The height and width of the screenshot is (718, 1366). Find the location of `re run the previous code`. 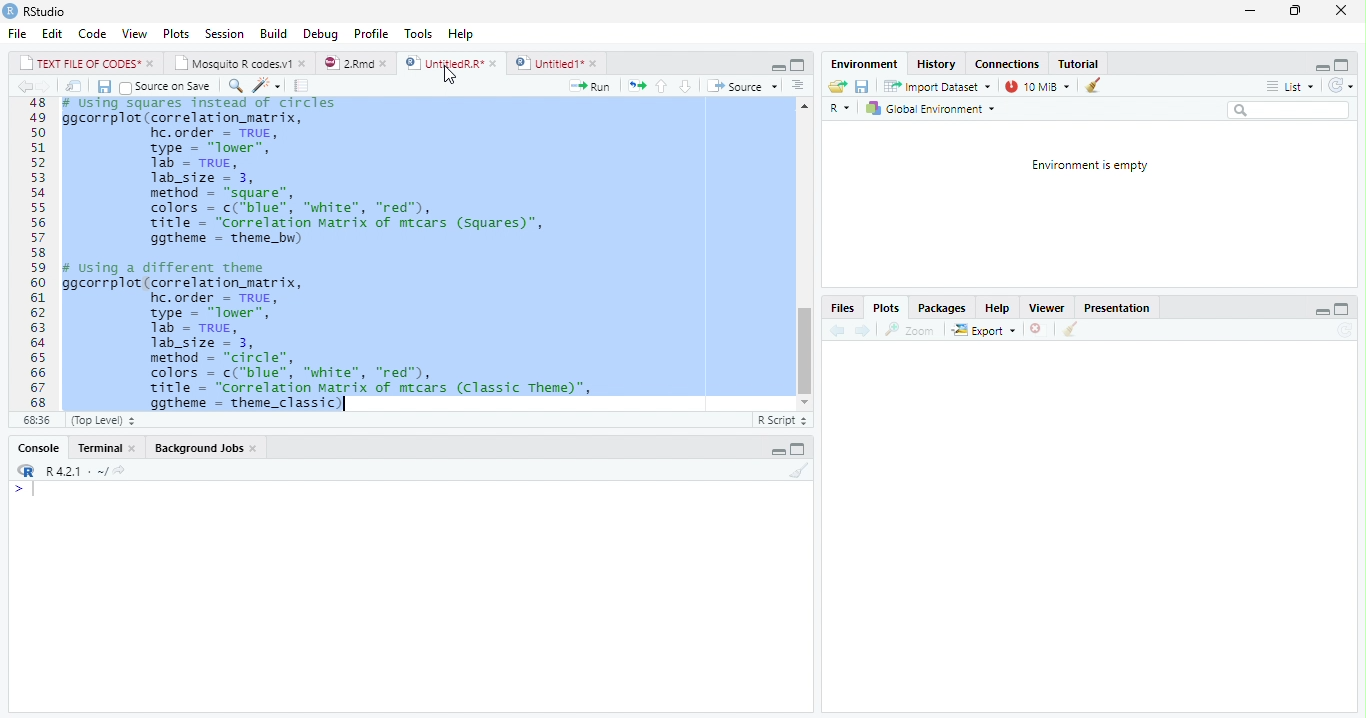

re run the previous code is located at coordinates (635, 84).